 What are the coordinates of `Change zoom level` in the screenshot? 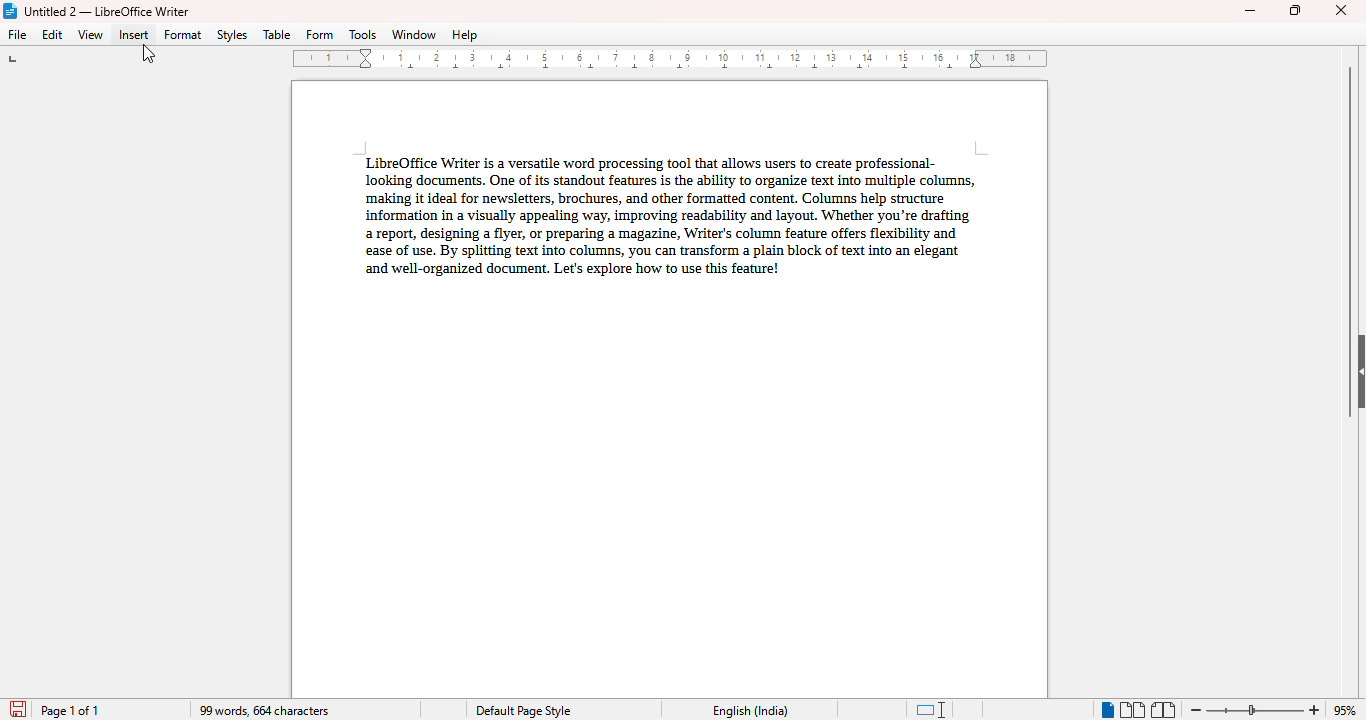 It's located at (1257, 707).